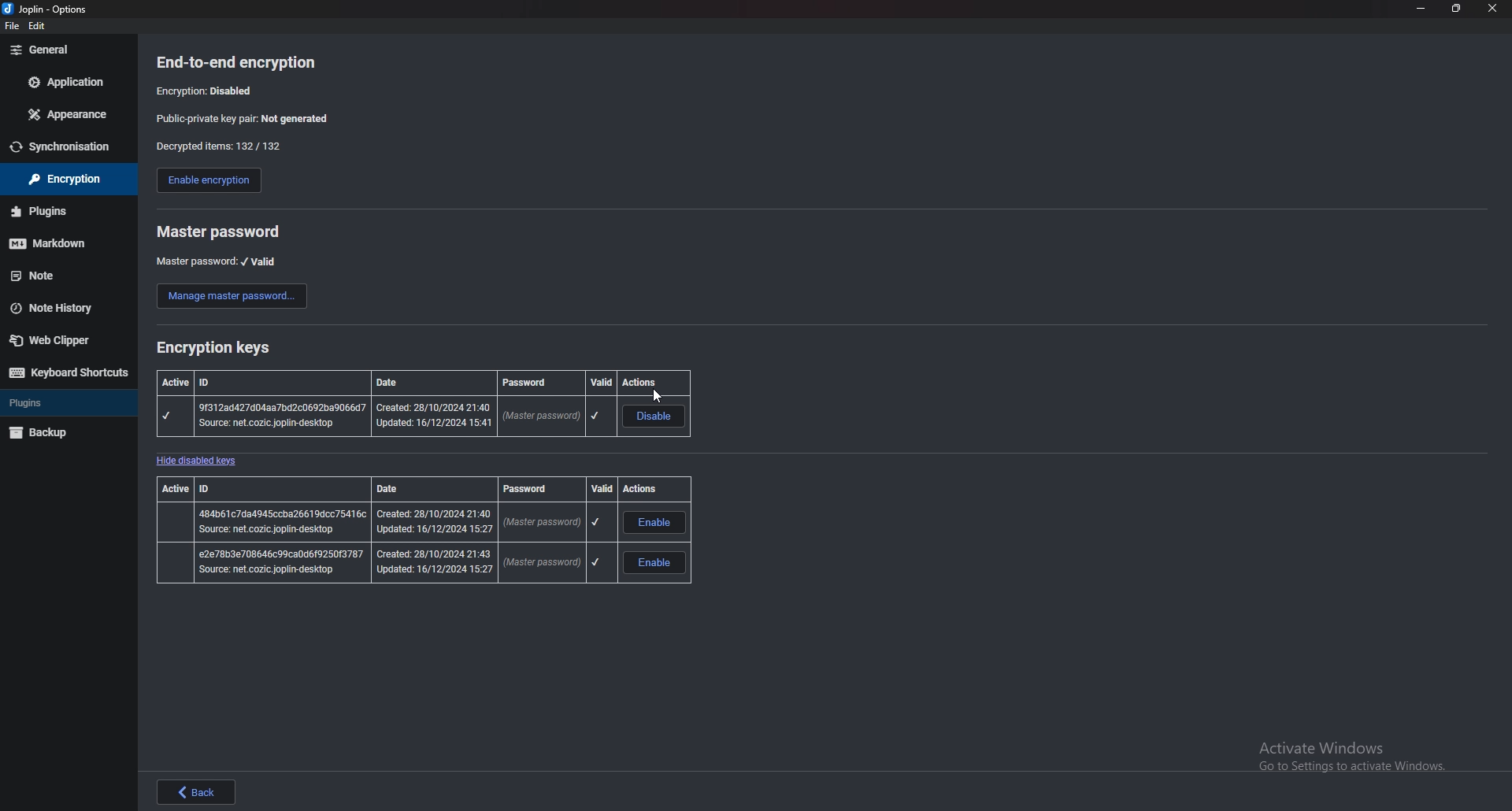 The width and height of the screenshot is (1512, 811). Describe the element at coordinates (539, 488) in the screenshot. I see `password` at that location.